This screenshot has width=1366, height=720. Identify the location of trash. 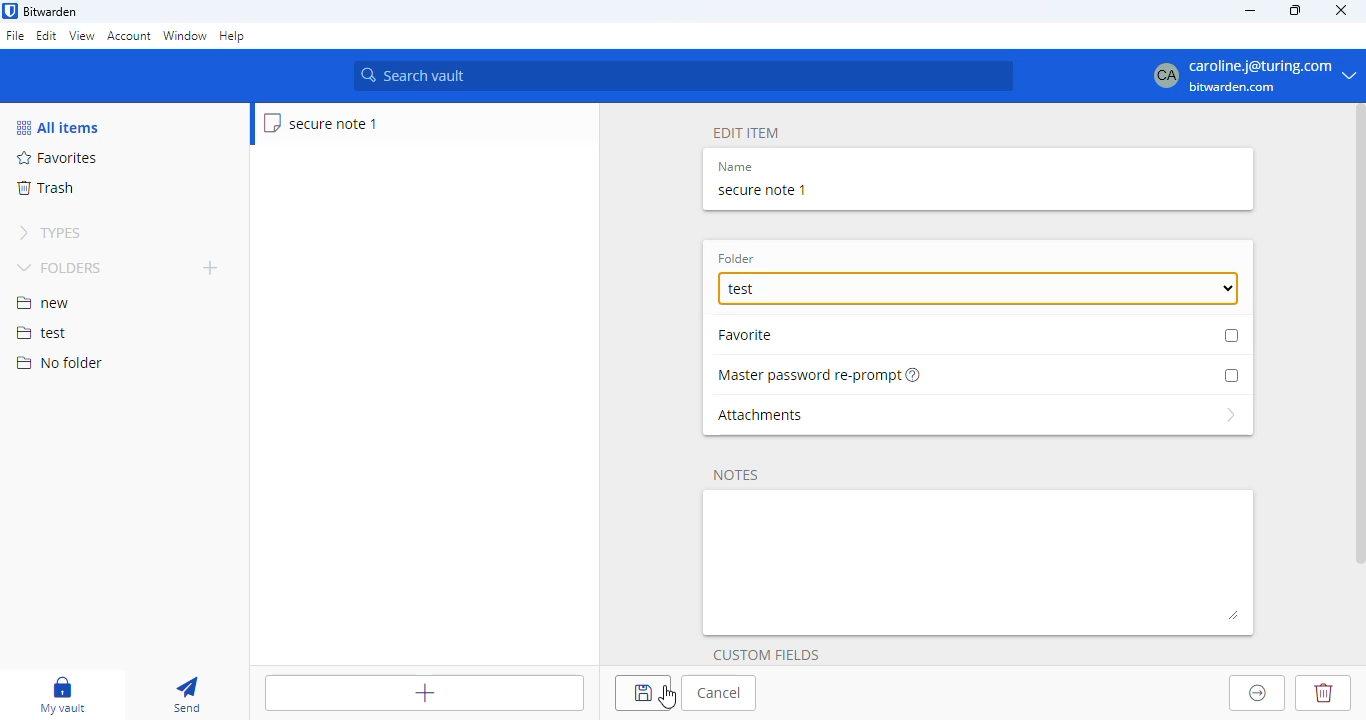
(44, 188).